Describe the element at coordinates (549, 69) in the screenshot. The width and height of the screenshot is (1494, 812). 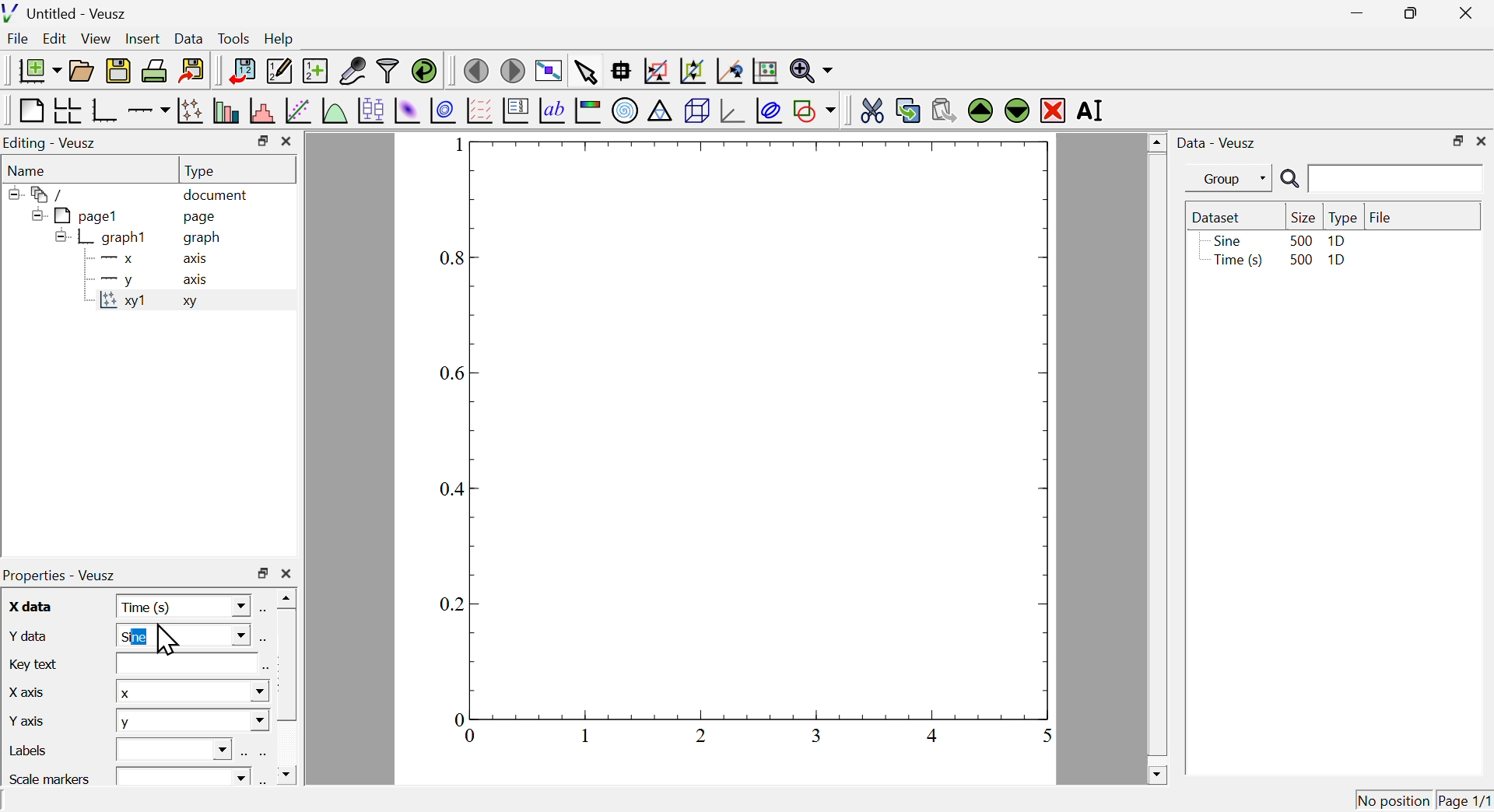
I see `view plot full screen` at that location.